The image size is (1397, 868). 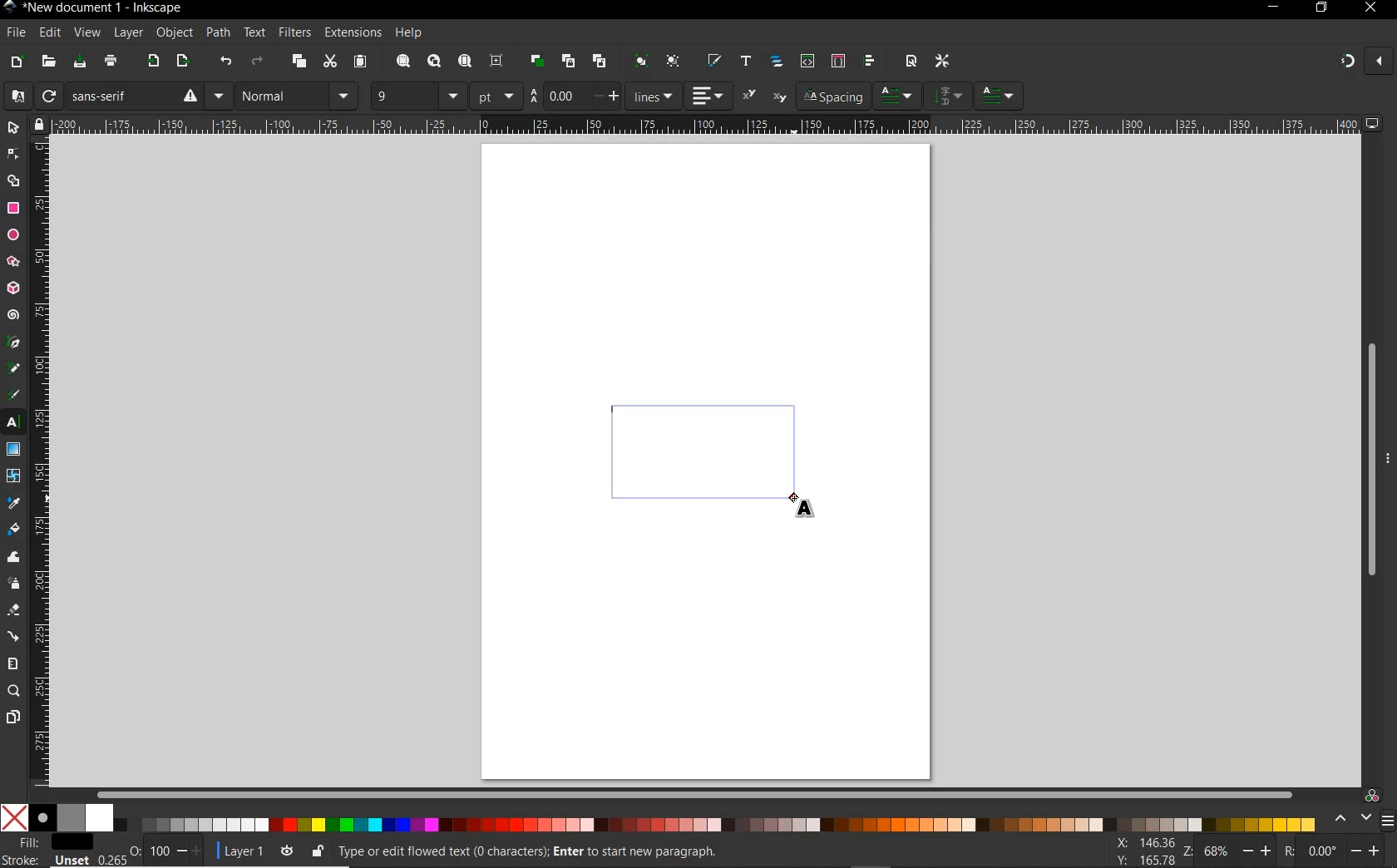 I want to click on pages tool, so click(x=13, y=718).